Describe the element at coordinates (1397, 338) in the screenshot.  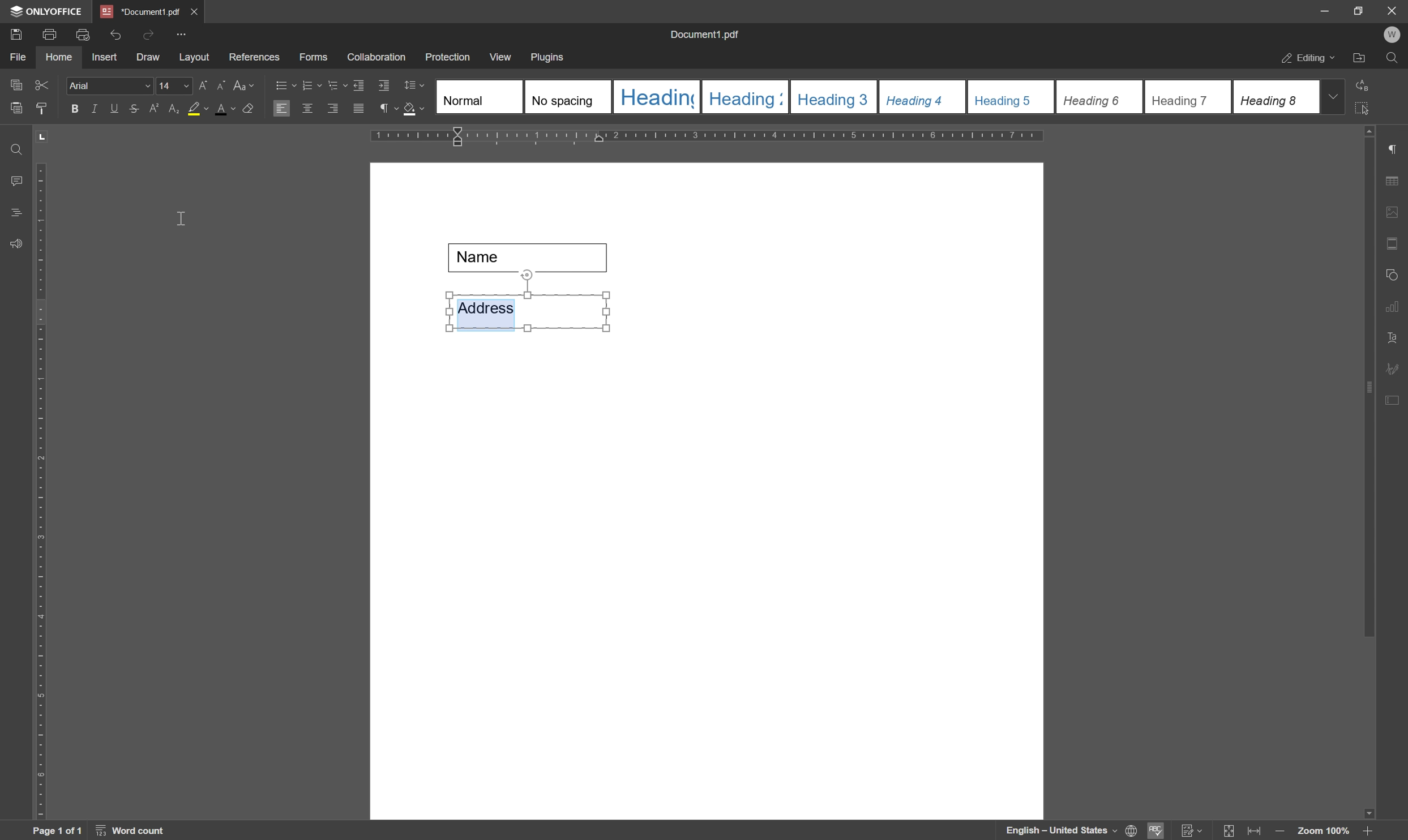
I see `text art settings` at that location.